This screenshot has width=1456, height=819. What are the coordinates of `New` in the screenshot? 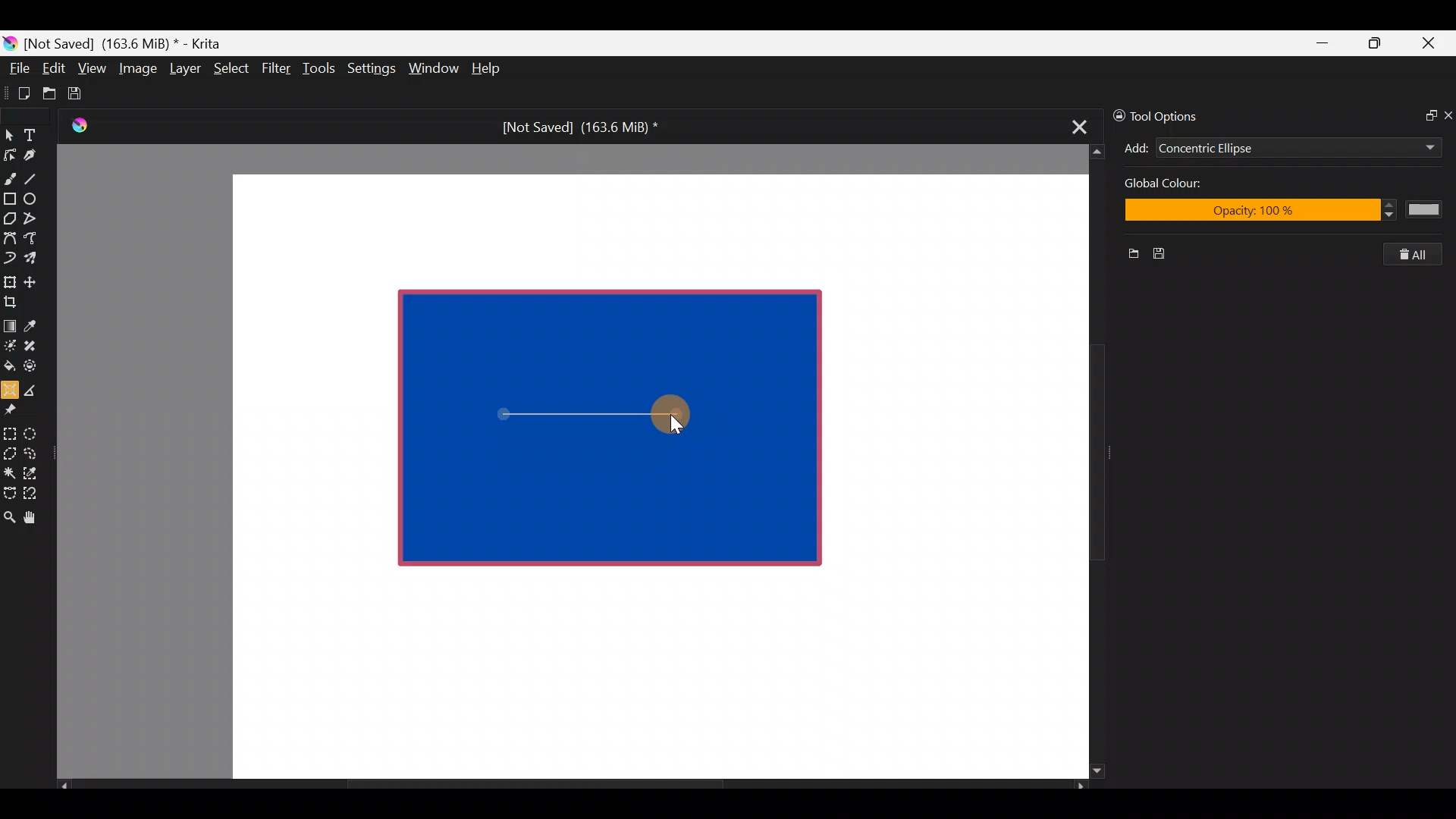 It's located at (1128, 256).